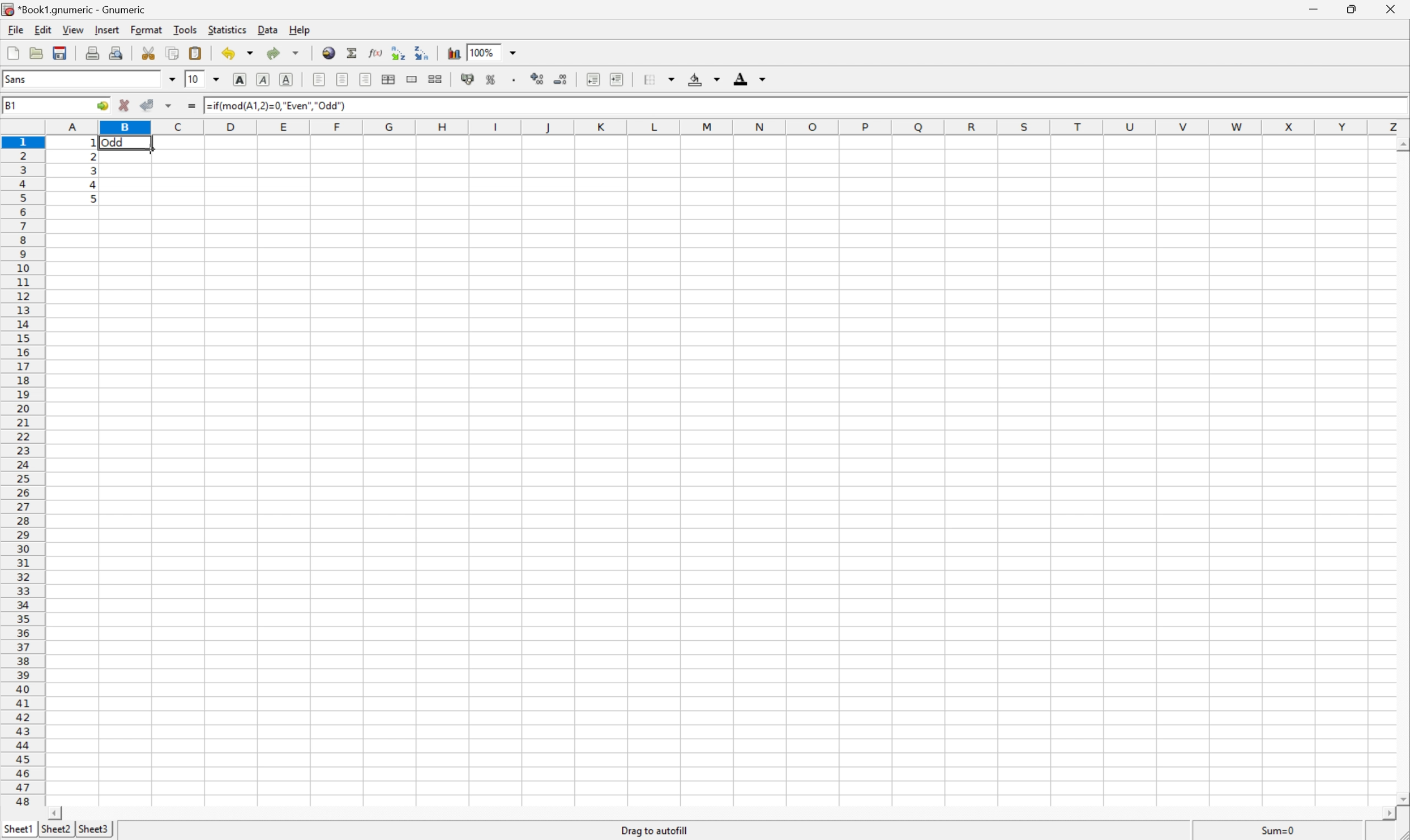 Image resolution: width=1410 pixels, height=840 pixels. Describe the element at coordinates (466, 79) in the screenshot. I see `Format selection as accounting` at that location.